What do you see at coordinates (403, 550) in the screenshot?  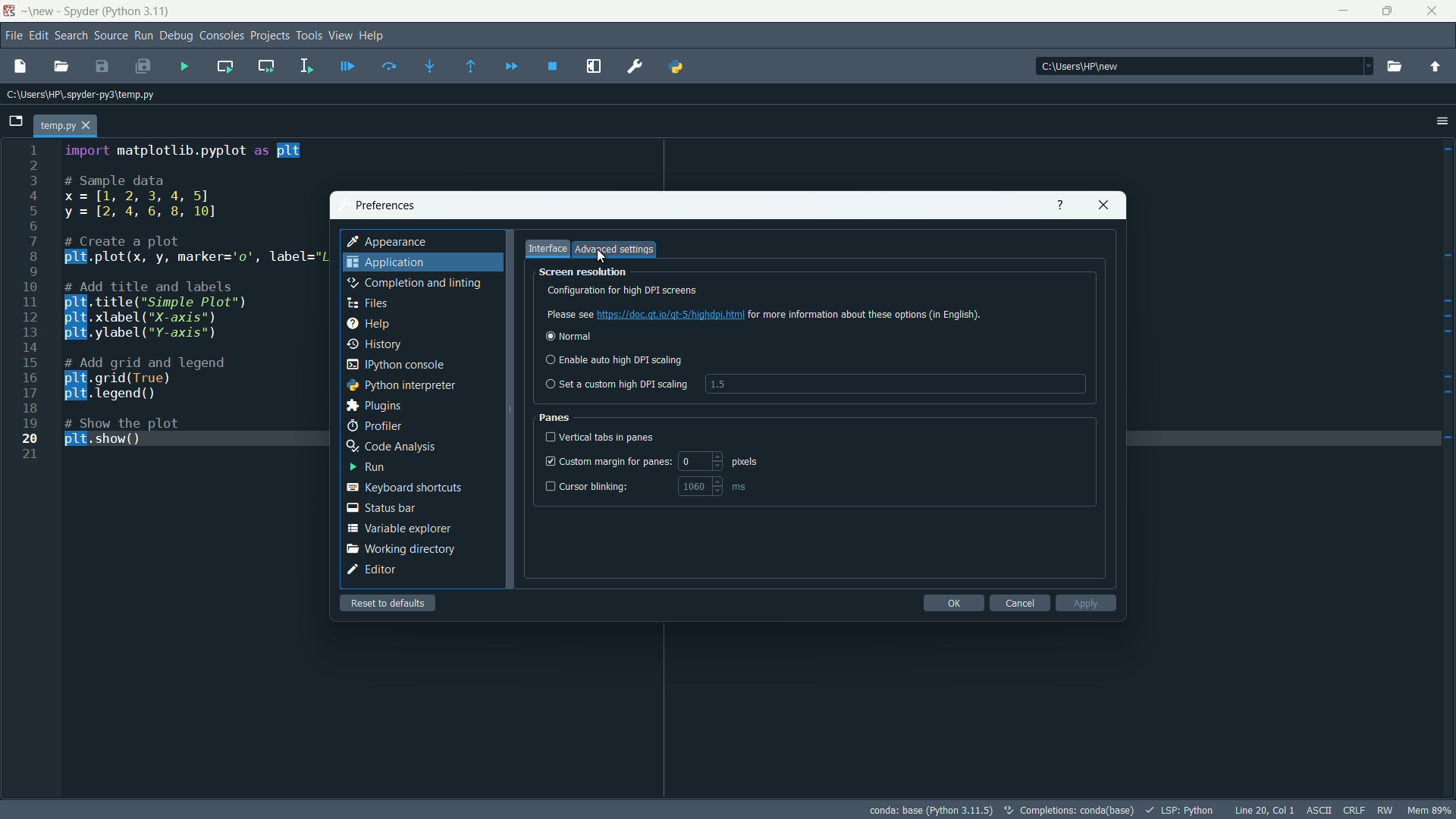 I see `working directory` at bounding box center [403, 550].